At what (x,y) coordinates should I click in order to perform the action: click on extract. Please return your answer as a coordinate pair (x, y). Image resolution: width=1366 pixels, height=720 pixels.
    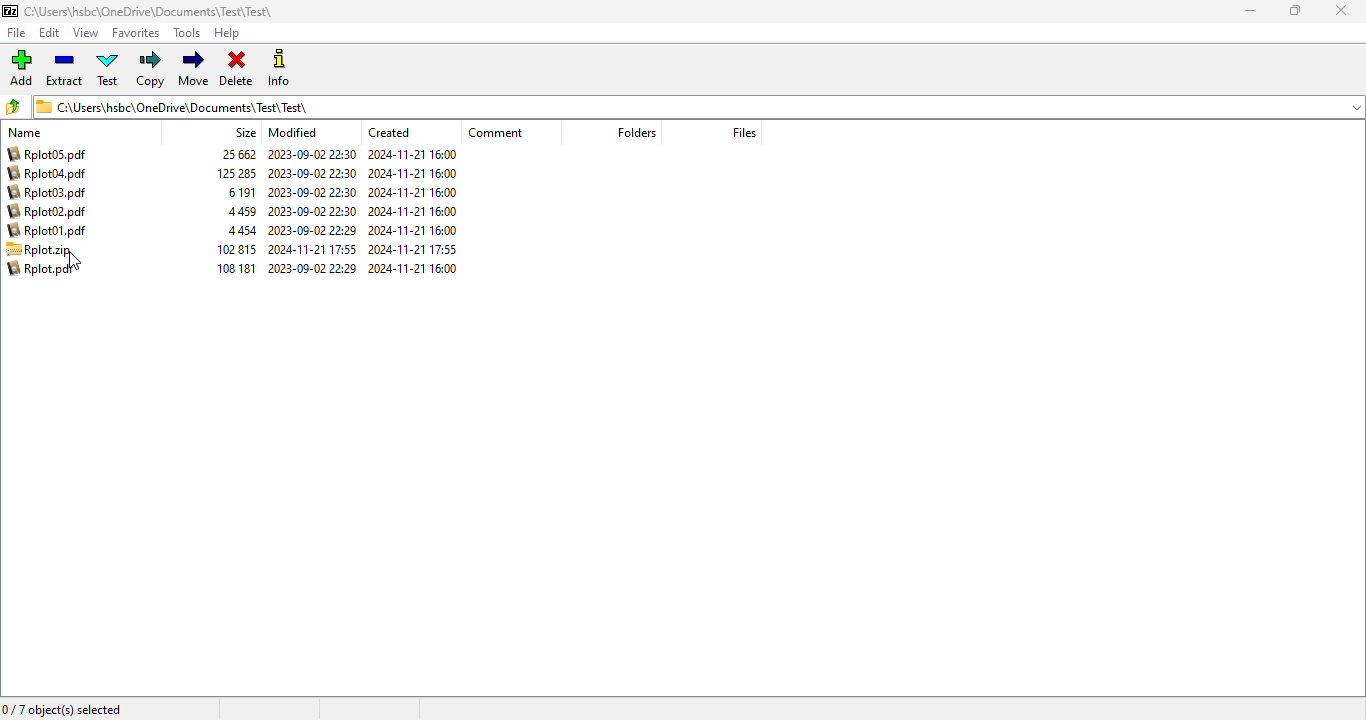
    Looking at the image, I should click on (64, 68).